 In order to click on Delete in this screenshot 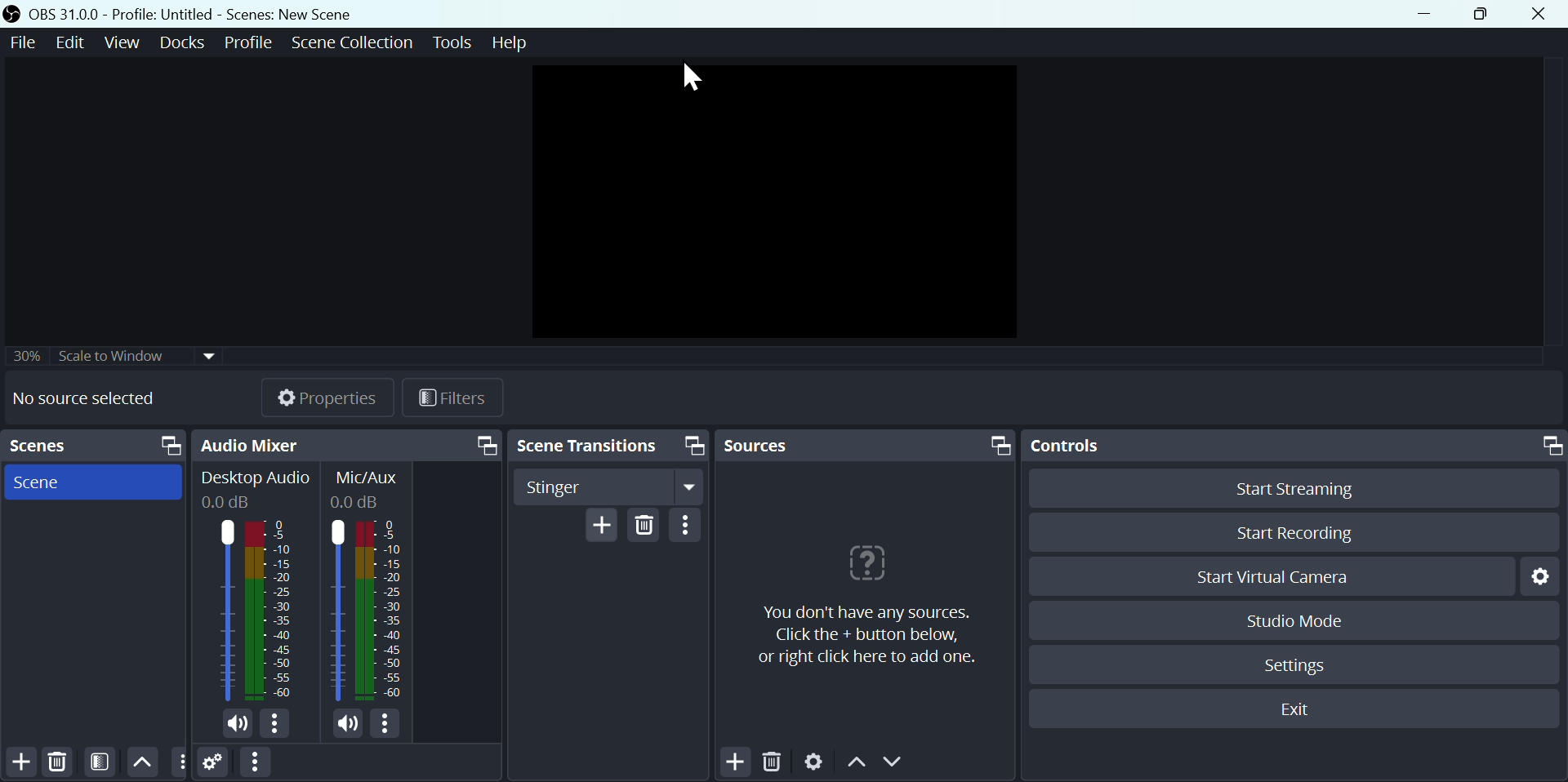, I will do `click(648, 525)`.